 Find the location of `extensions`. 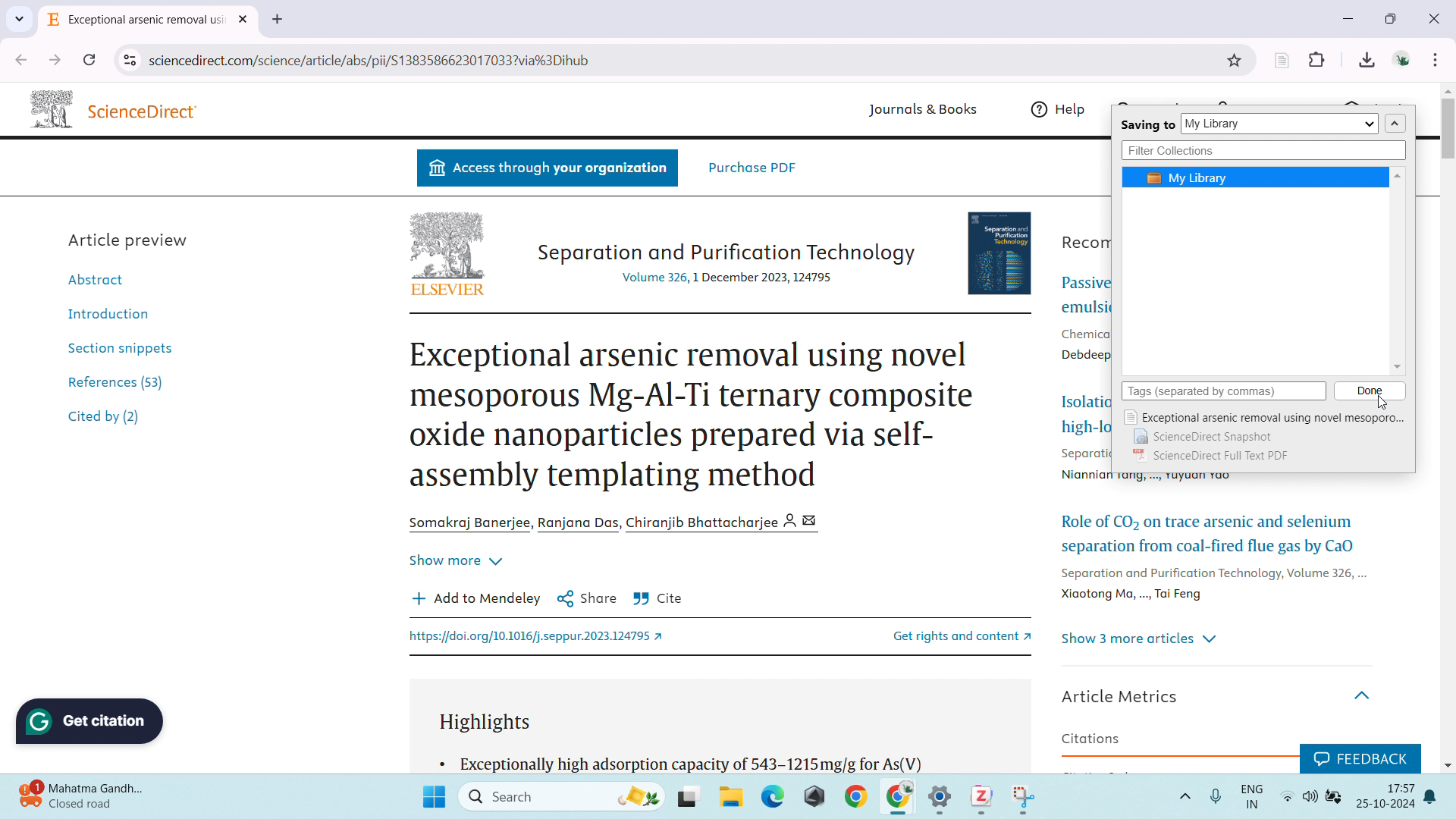

extensions is located at coordinates (1317, 58).